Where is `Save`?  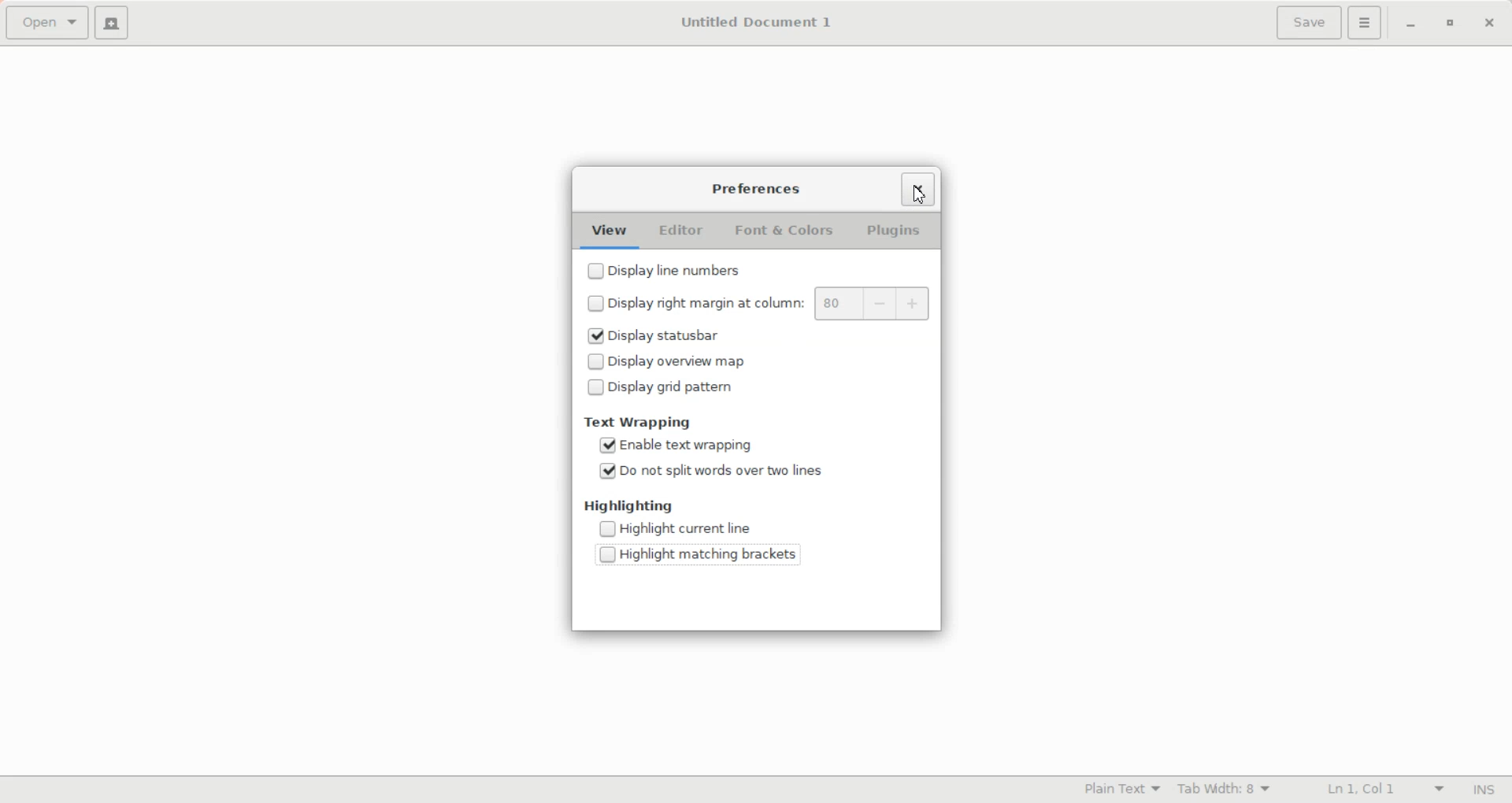 Save is located at coordinates (1307, 23).